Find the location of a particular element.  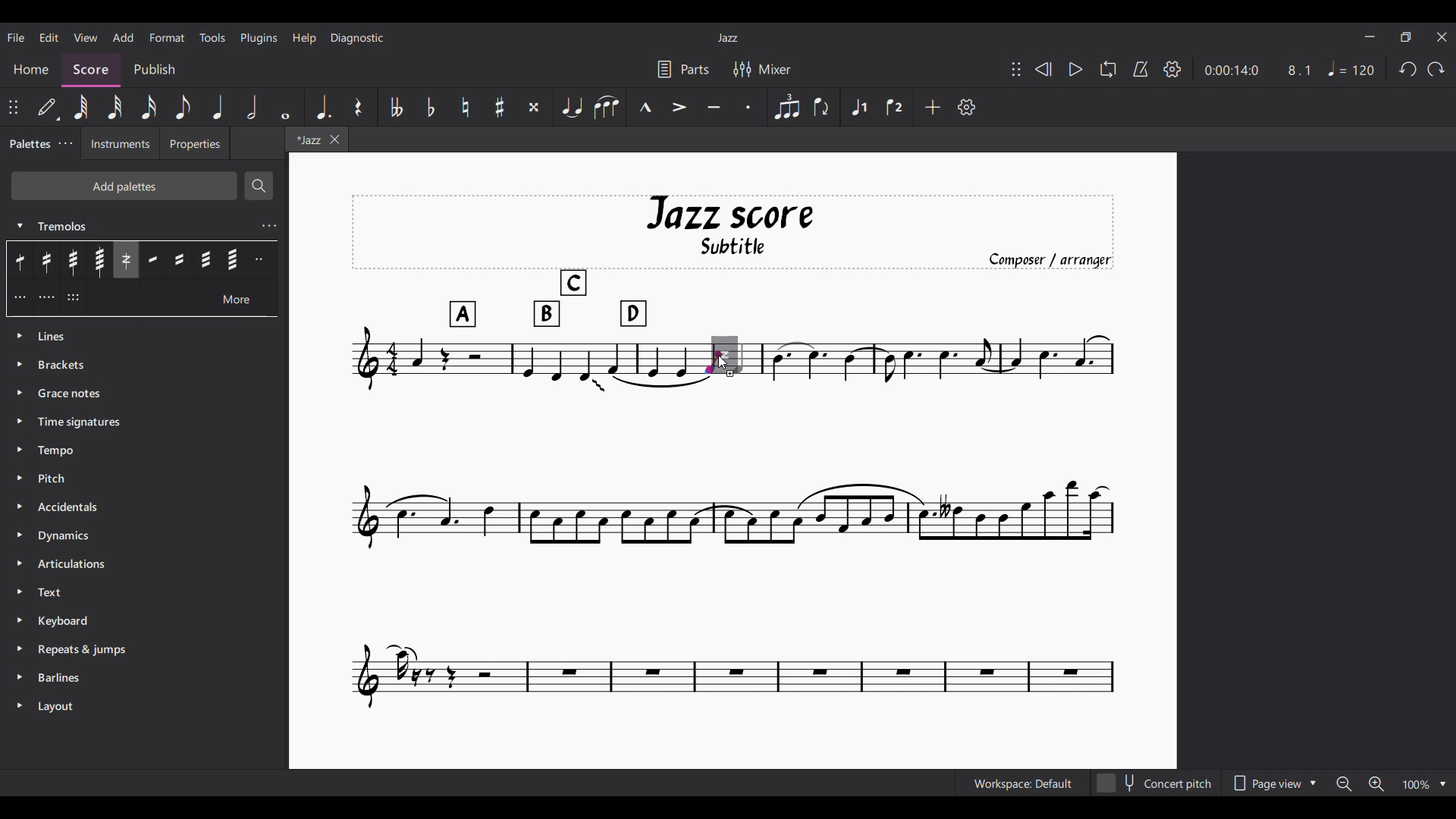

Brackets is located at coordinates (143, 365).